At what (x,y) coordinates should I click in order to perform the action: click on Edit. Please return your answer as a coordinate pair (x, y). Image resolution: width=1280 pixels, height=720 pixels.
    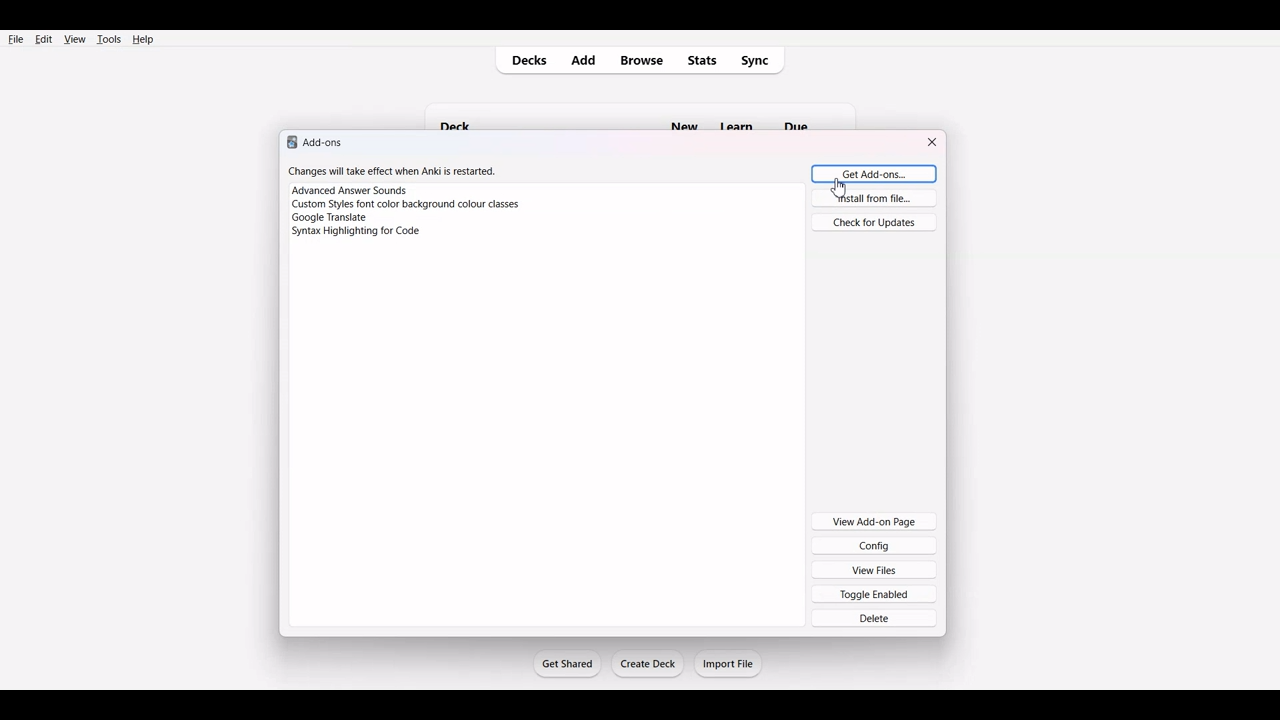
    Looking at the image, I should click on (43, 39).